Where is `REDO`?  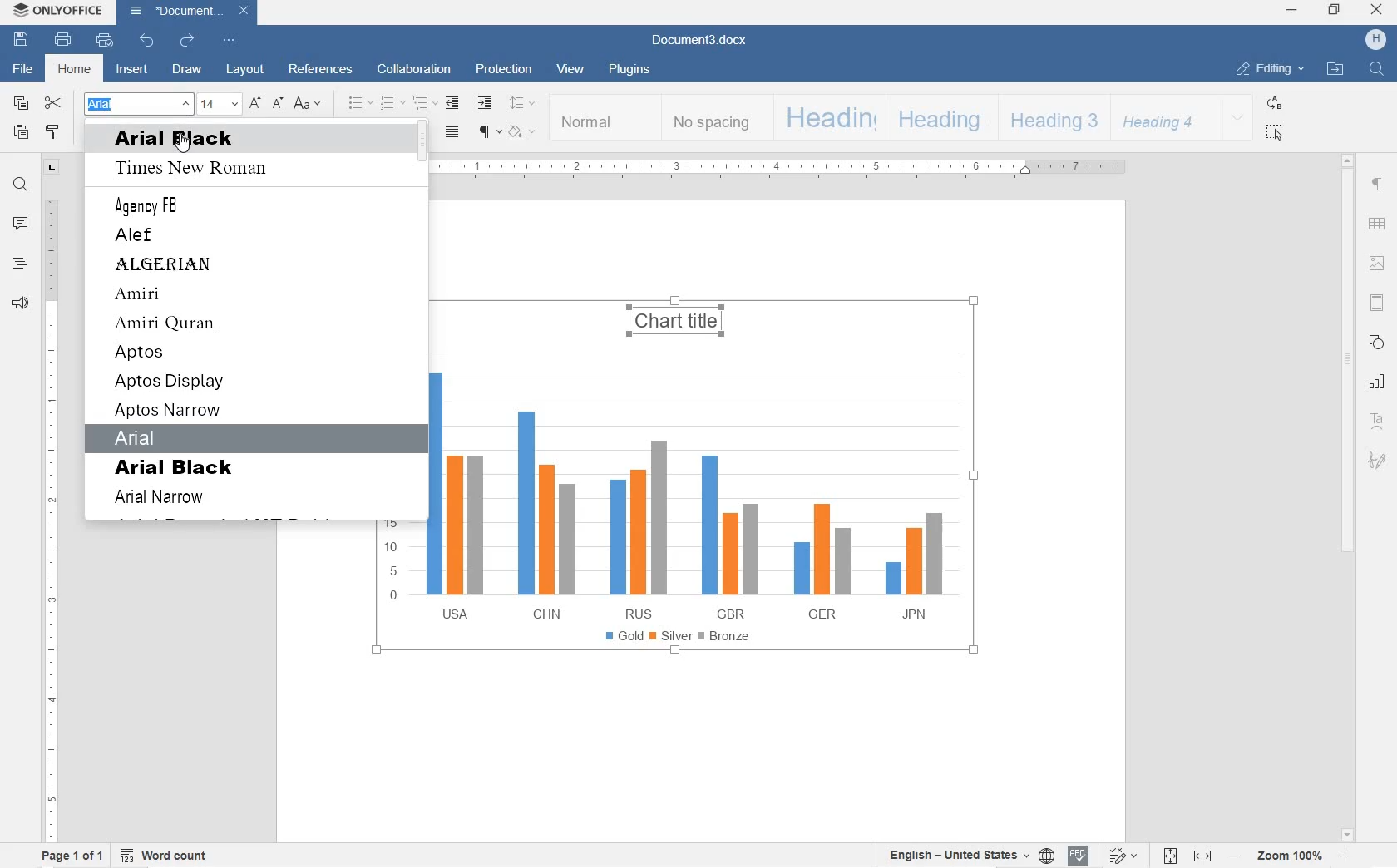 REDO is located at coordinates (188, 40).